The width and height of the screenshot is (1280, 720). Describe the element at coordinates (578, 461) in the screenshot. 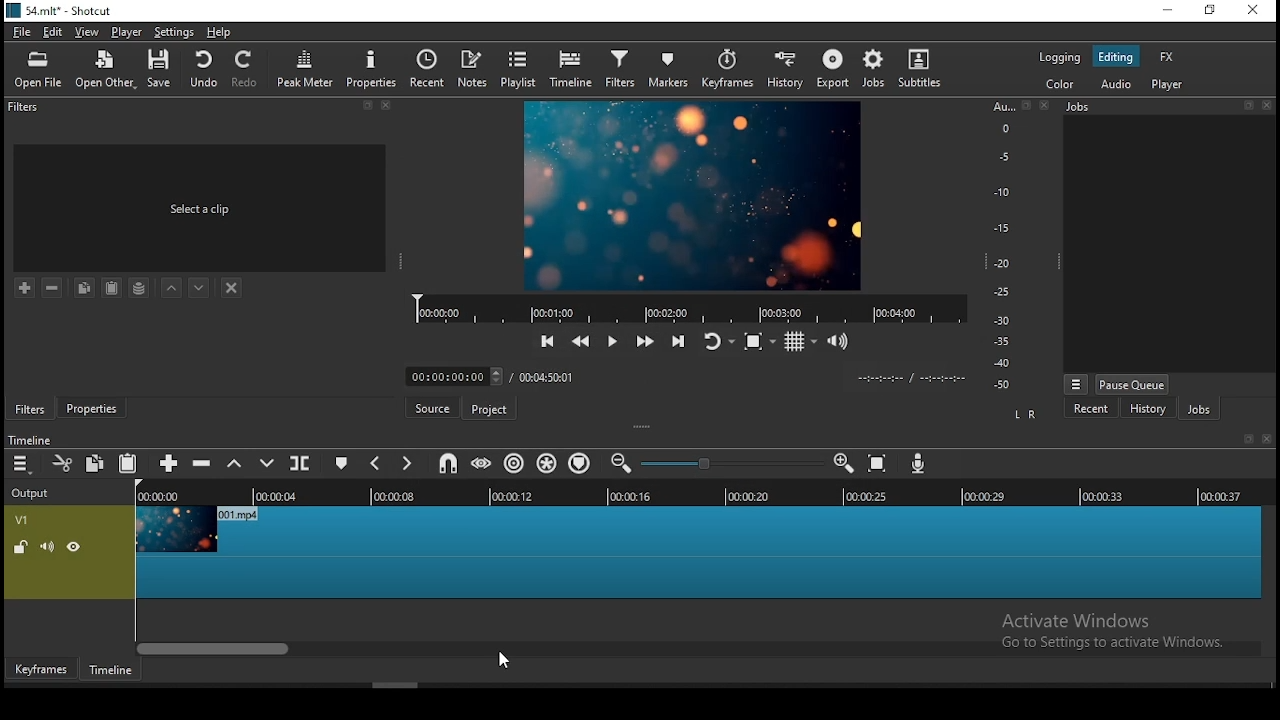

I see `ripple markers` at that location.